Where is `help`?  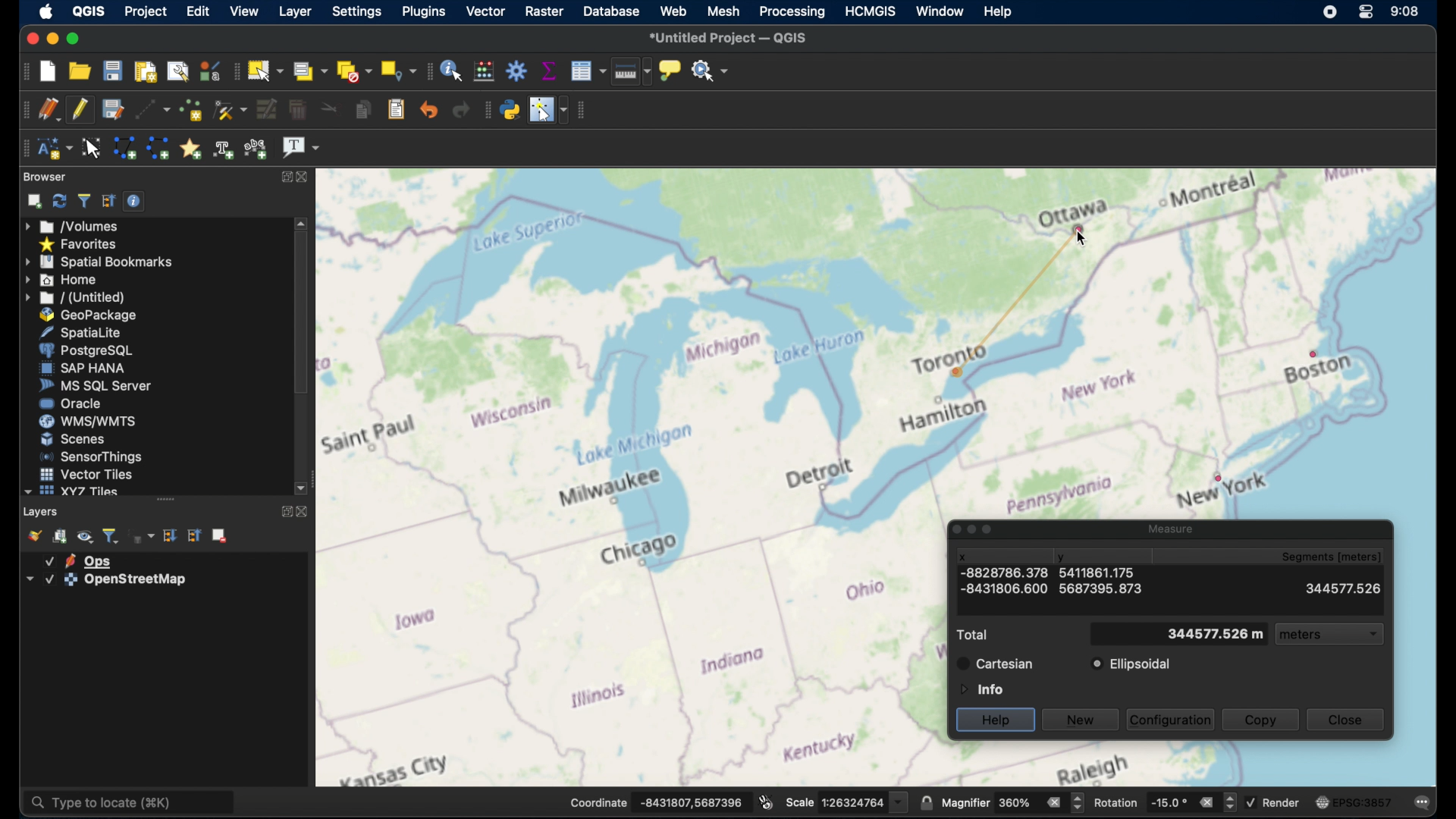
help is located at coordinates (996, 11).